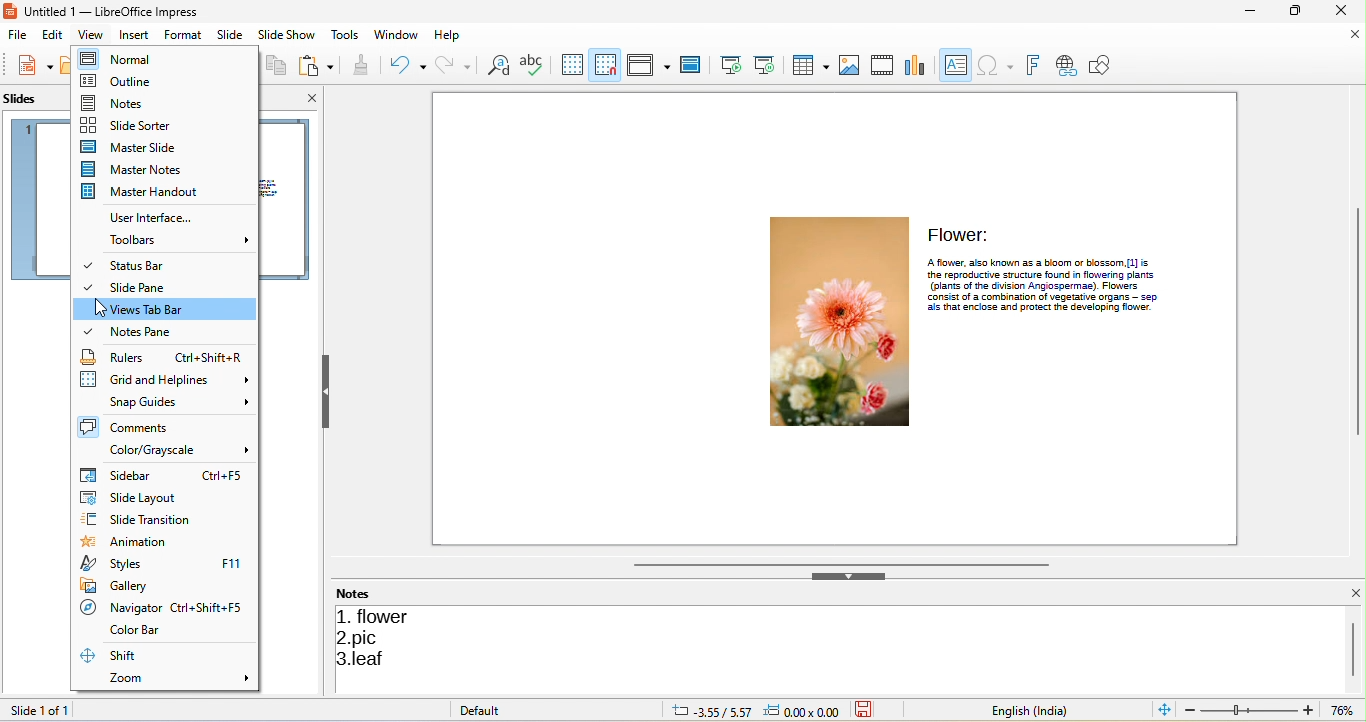 Image resolution: width=1366 pixels, height=722 pixels. Describe the element at coordinates (152, 332) in the screenshot. I see `notes pane` at that location.